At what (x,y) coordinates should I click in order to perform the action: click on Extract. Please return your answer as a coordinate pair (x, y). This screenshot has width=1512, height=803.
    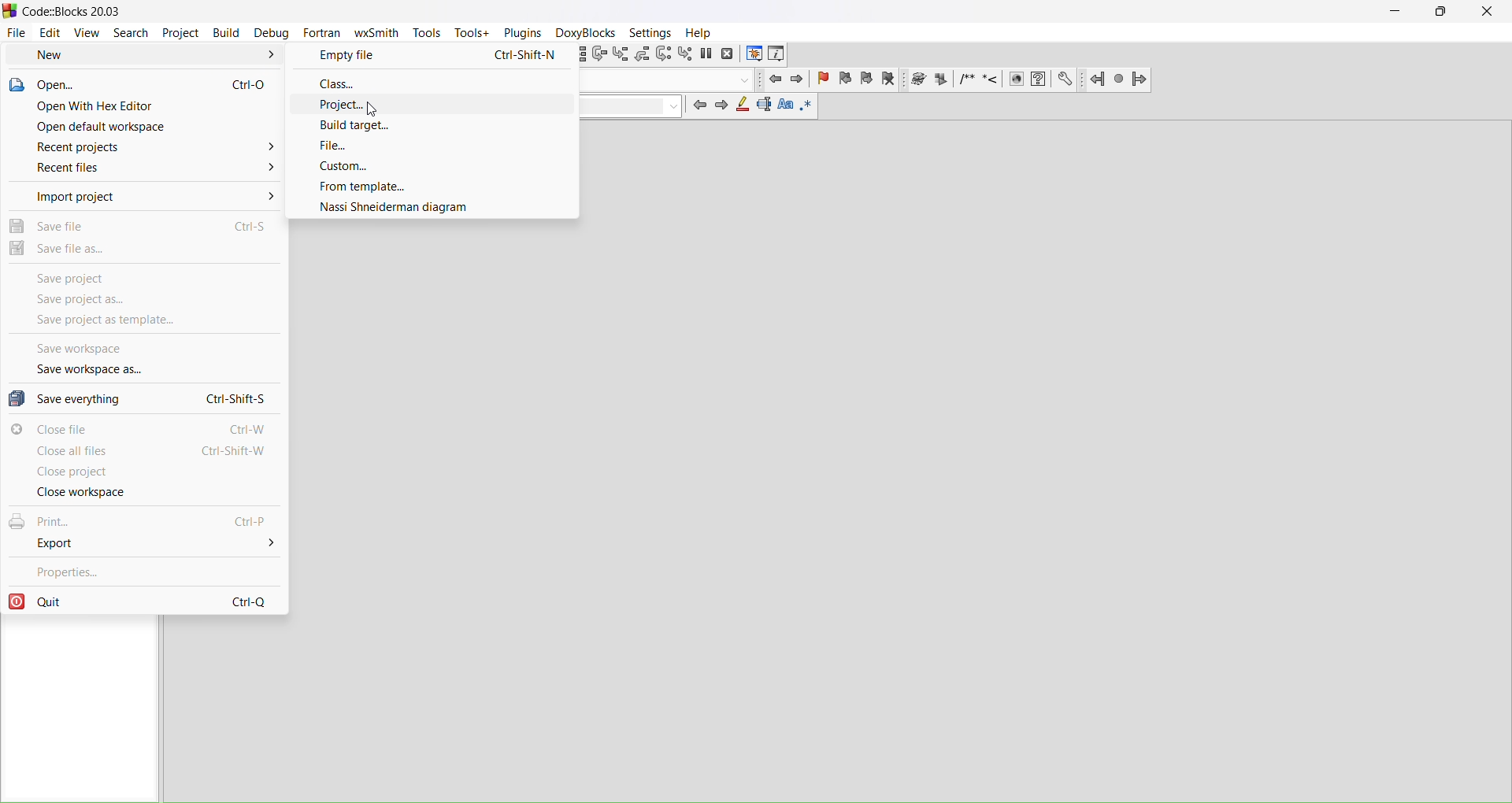
    Looking at the image, I should click on (939, 79).